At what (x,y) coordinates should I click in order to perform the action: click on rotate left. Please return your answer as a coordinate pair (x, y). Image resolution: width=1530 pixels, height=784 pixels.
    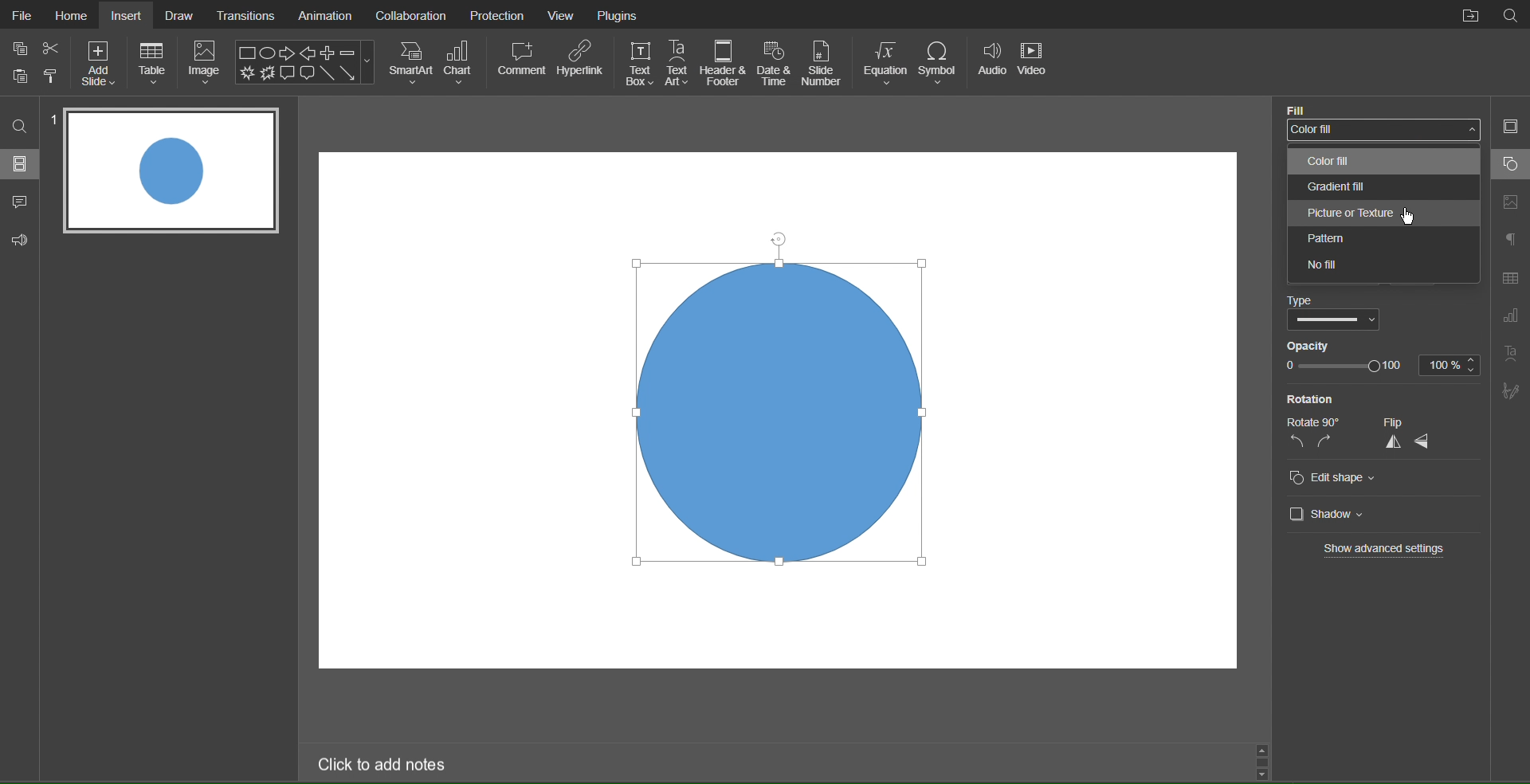
    Looking at the image, I should click on (1293, 443).